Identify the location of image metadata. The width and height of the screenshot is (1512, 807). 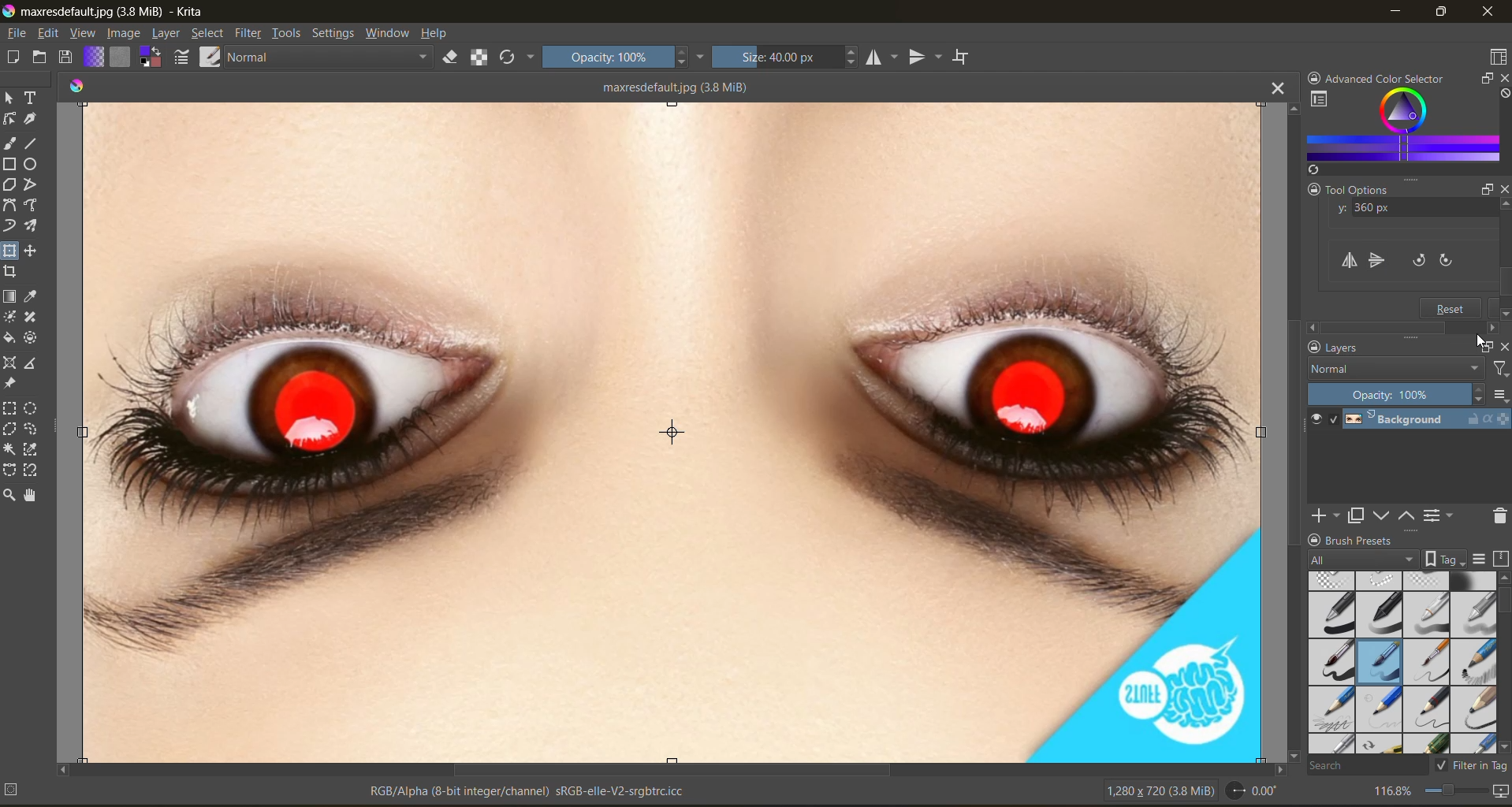
(1159, 794).